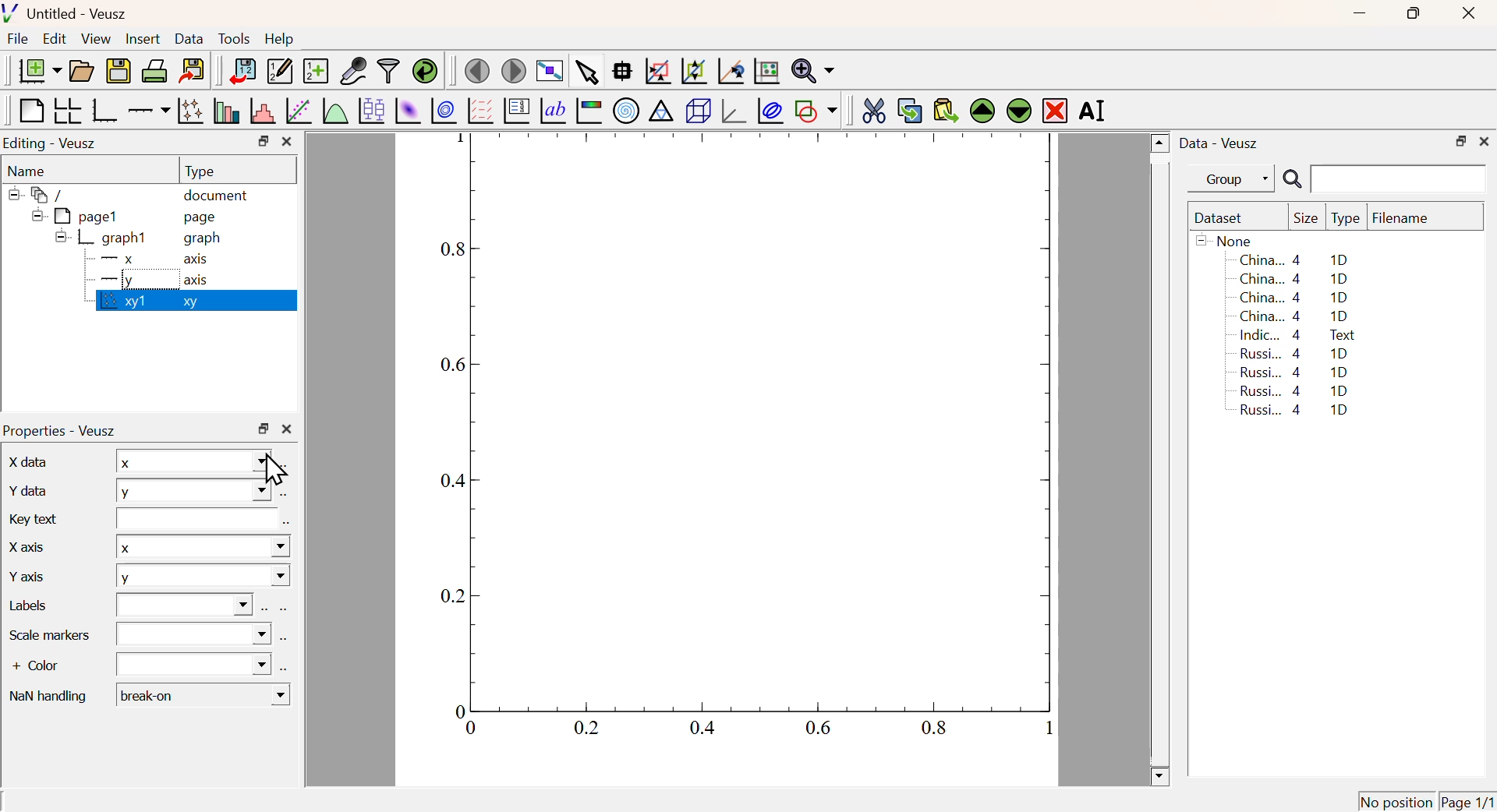 The height and width of the screenshot is (812, 1497). I want to click on pagel, so click(71, 217).